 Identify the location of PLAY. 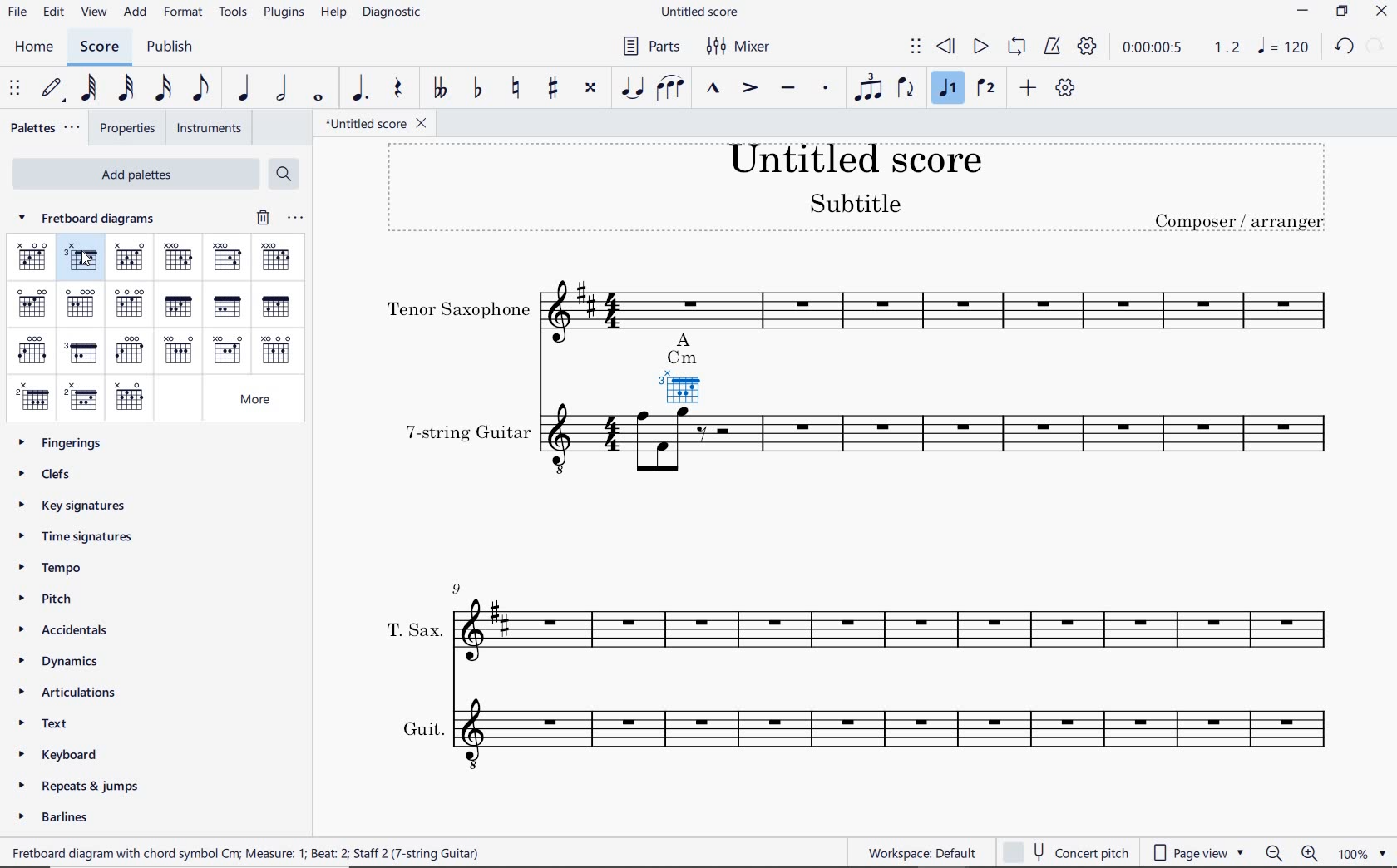
(980, 46).